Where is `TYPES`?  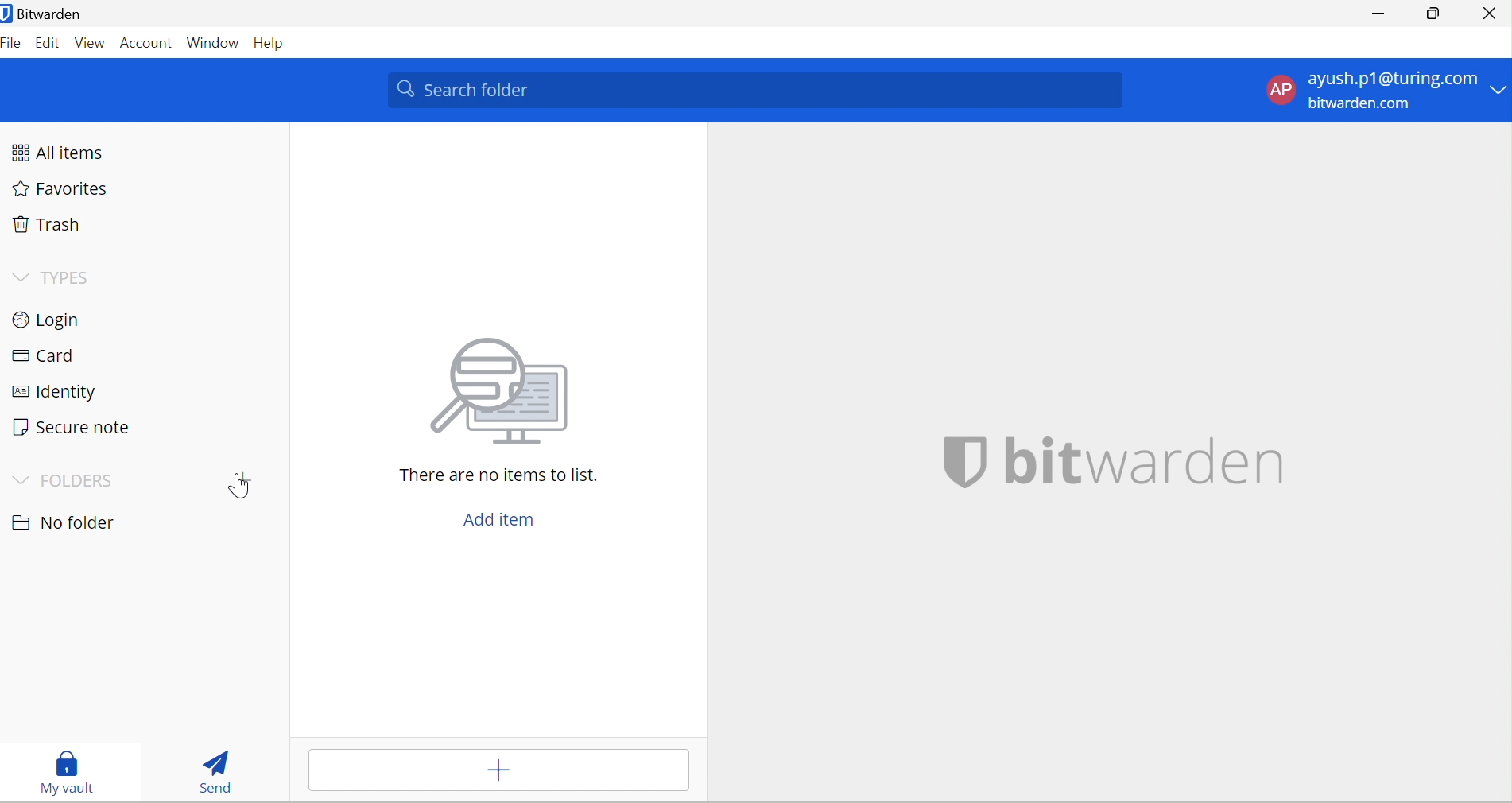
TYPES is located at coordinates (71, 273).